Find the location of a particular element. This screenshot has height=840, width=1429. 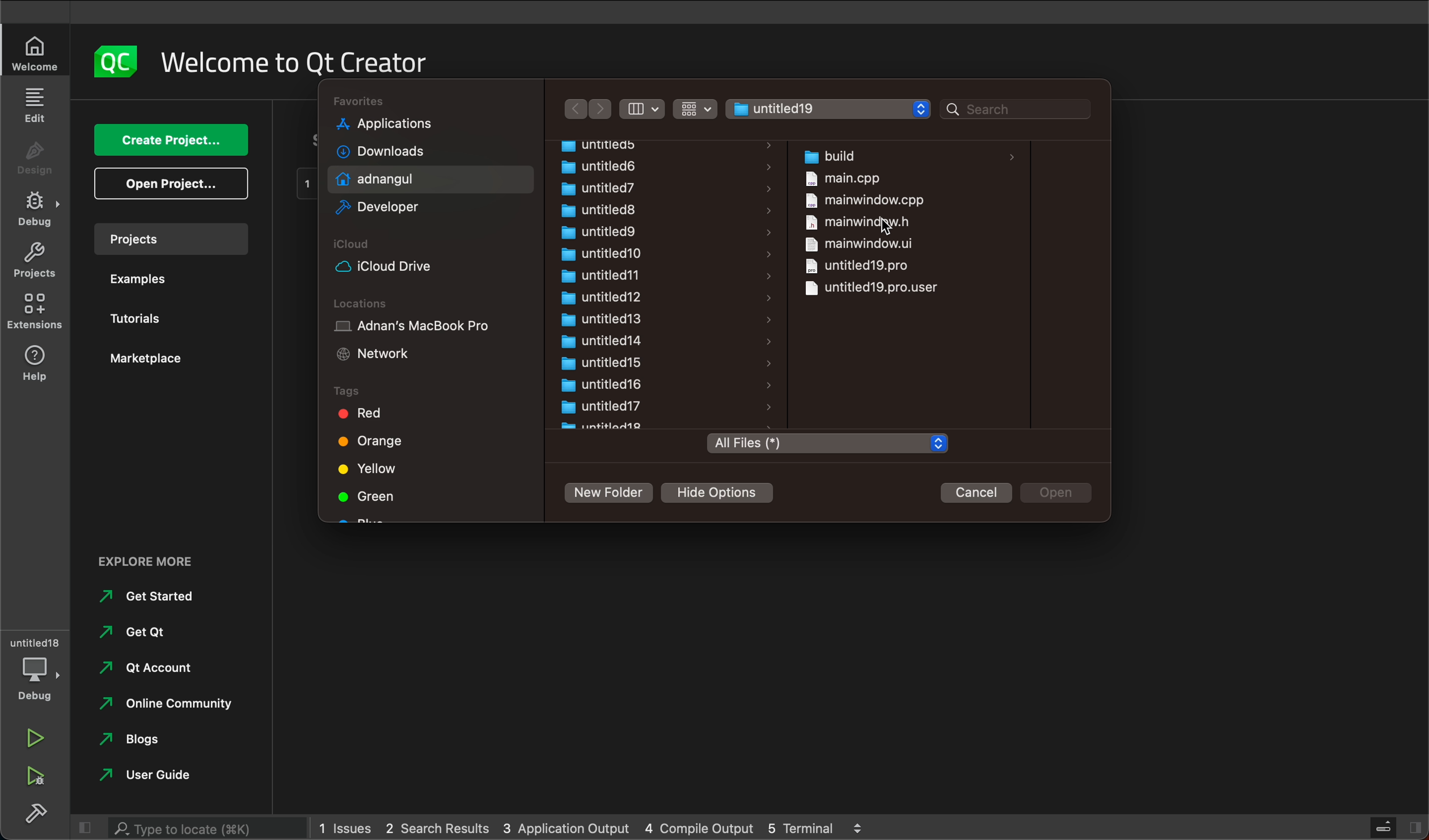

arrows is located at coordinates (589, 109).